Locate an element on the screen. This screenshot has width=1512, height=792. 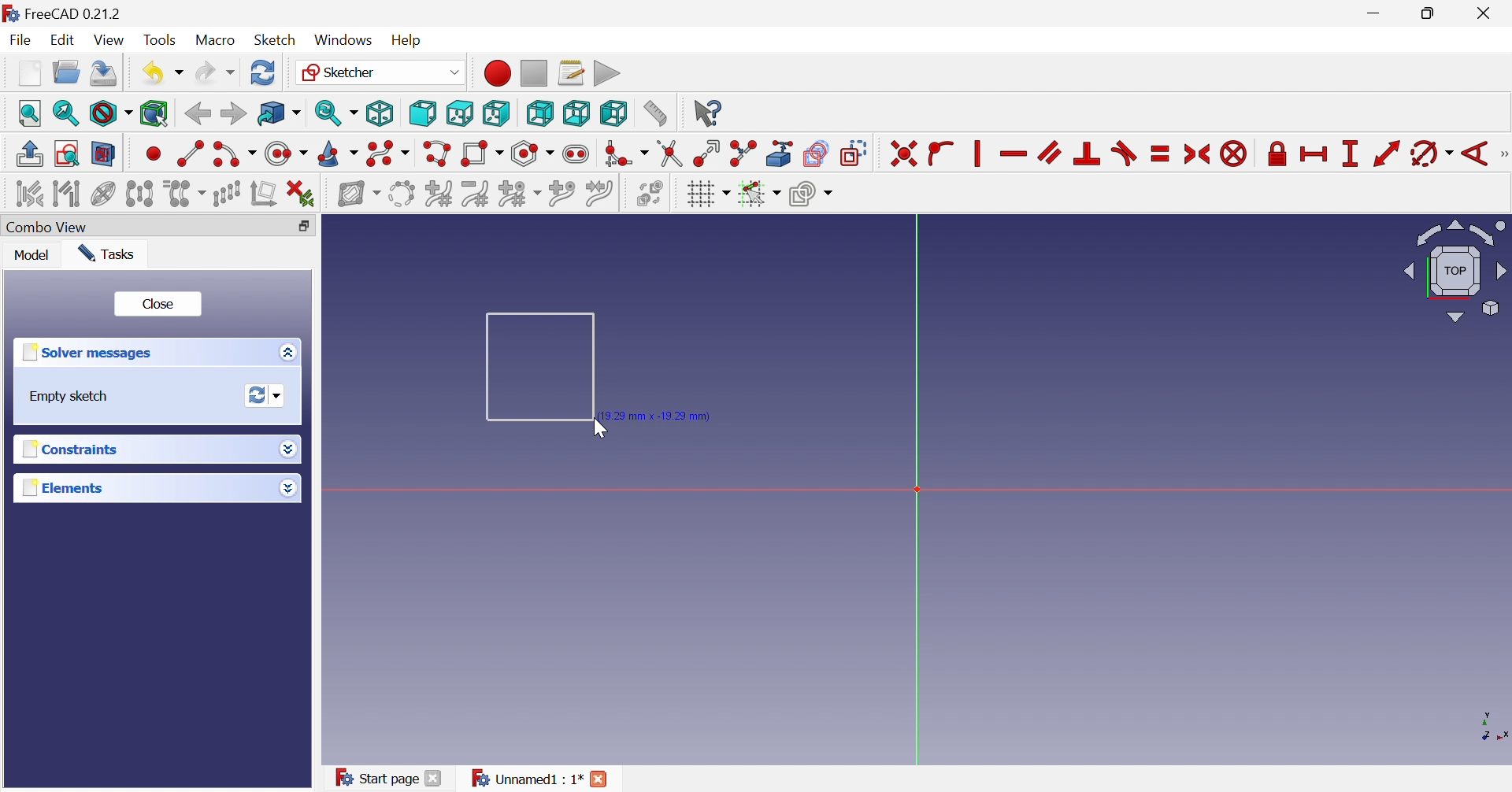
Free CAD0.21.2 is located at coordinates (74, 12).